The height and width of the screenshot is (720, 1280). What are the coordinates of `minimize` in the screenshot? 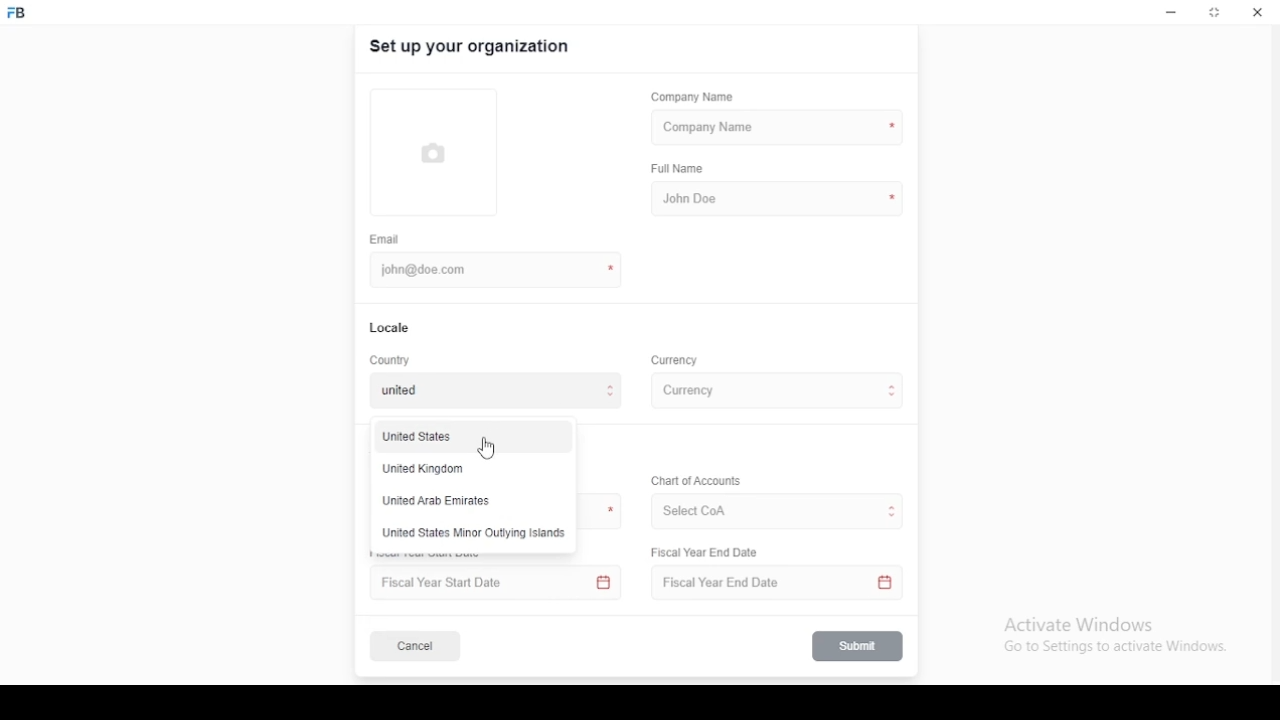 It's located at (1171, 13).